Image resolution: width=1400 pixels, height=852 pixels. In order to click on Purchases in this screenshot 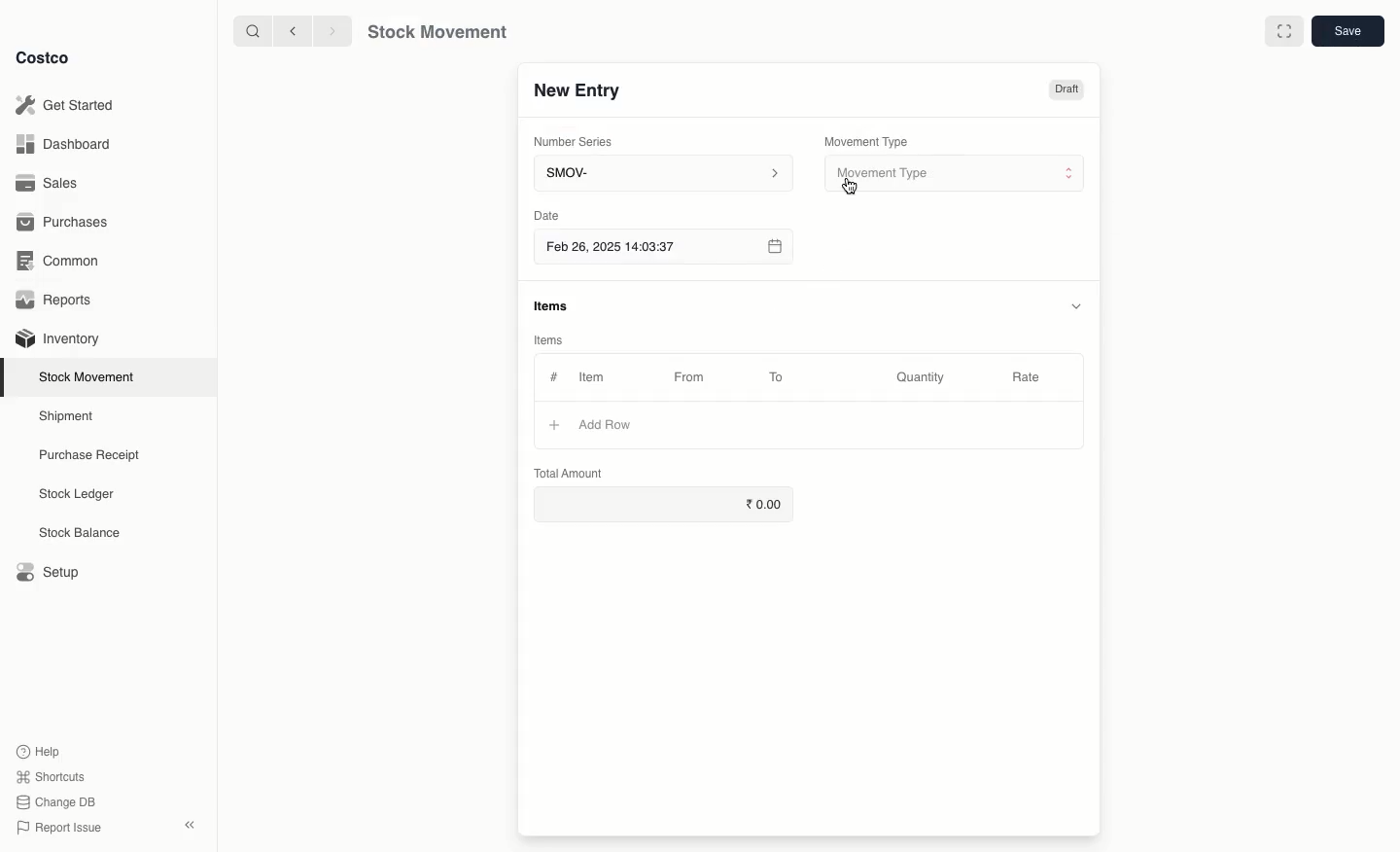, I will do `click(66, 224)`.